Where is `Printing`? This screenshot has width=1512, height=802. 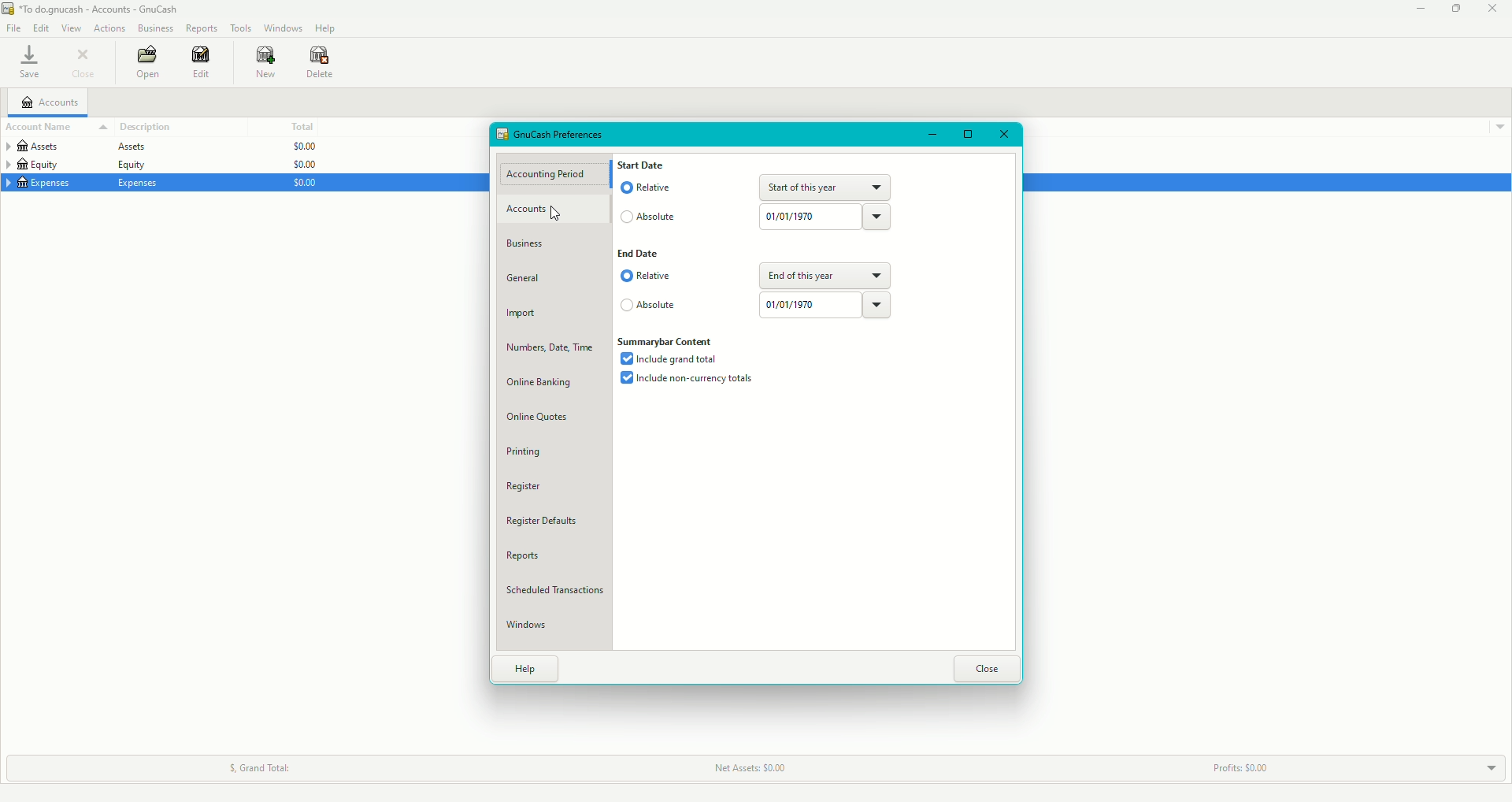
Printing is located at coordinates (524, 452).